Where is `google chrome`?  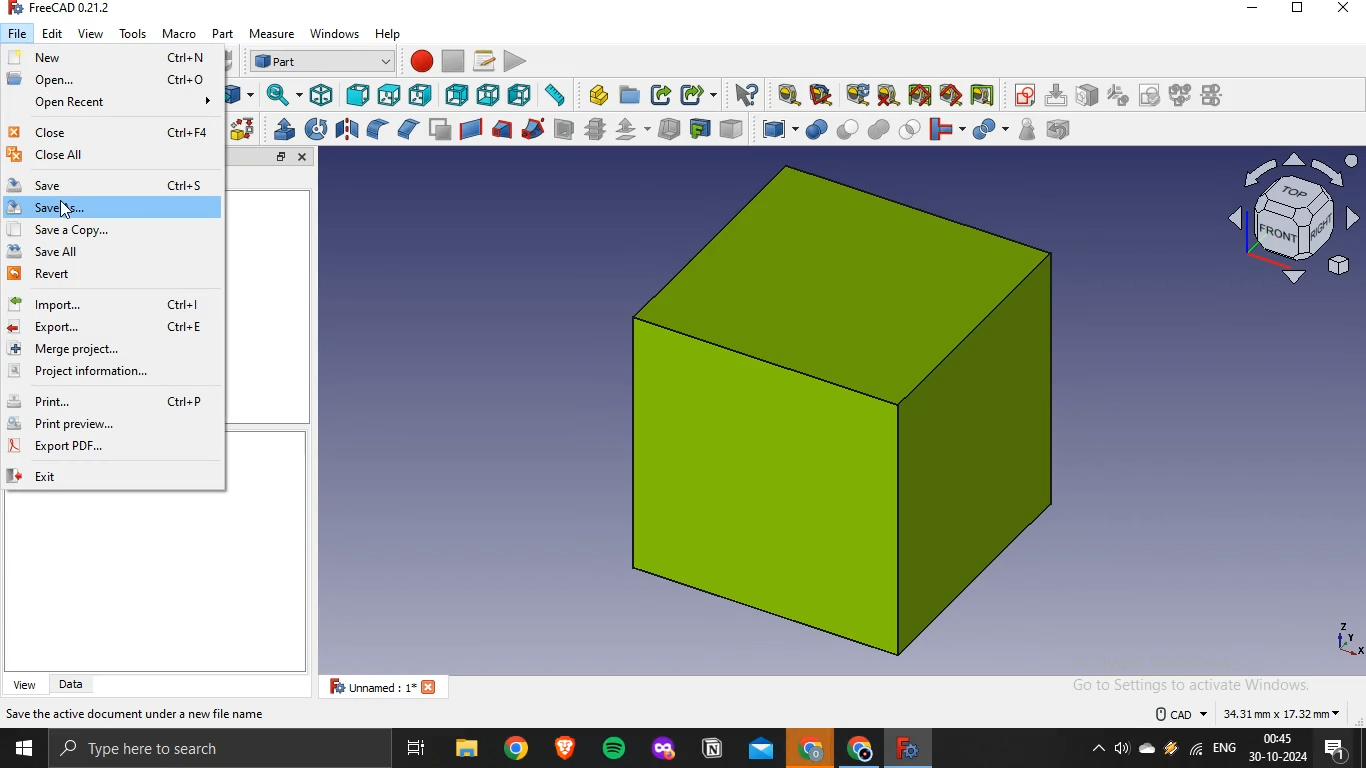
google chrome is located at coordinates (859, 749).